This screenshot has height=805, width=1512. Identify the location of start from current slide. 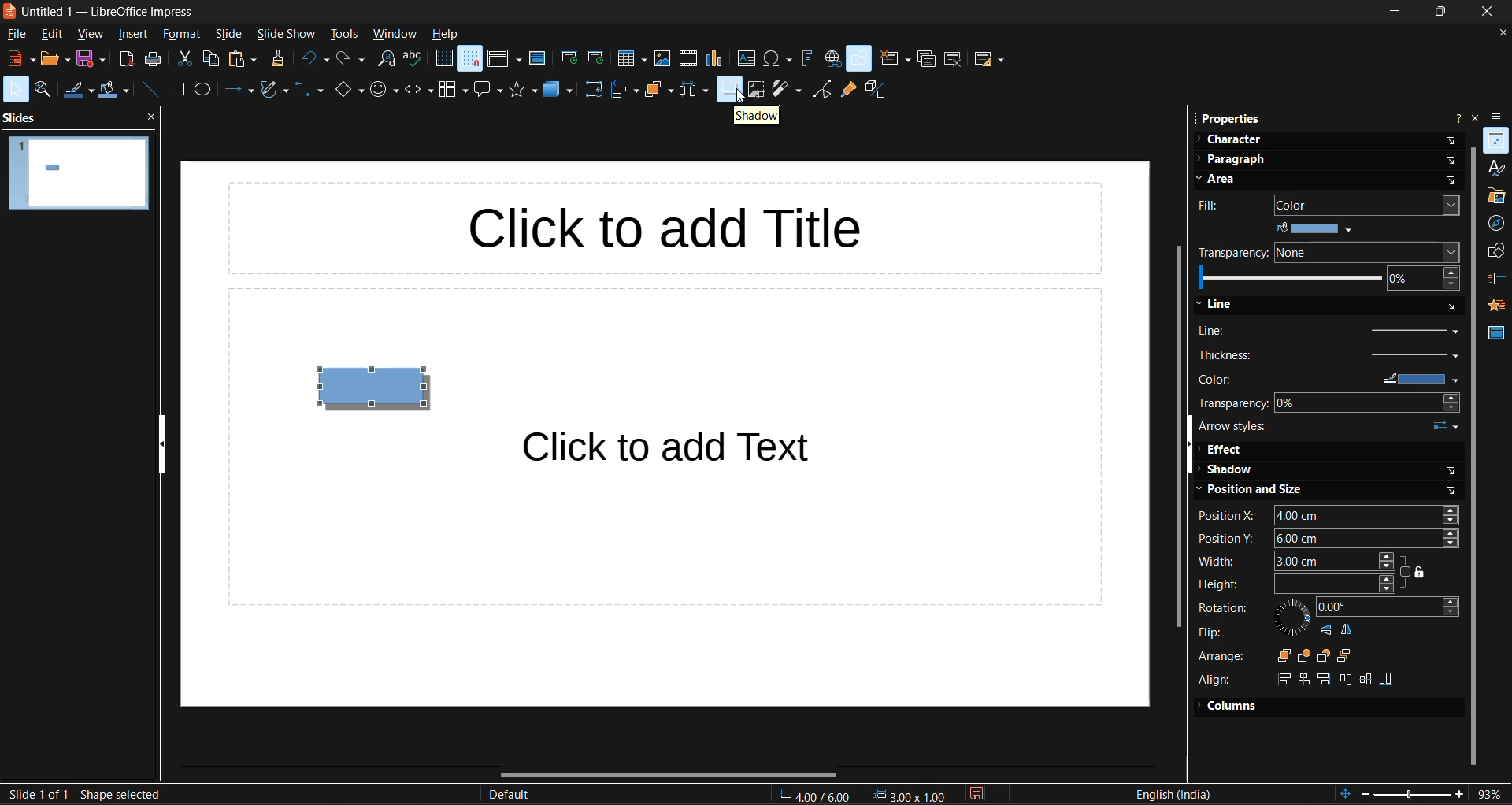
(598, 61).